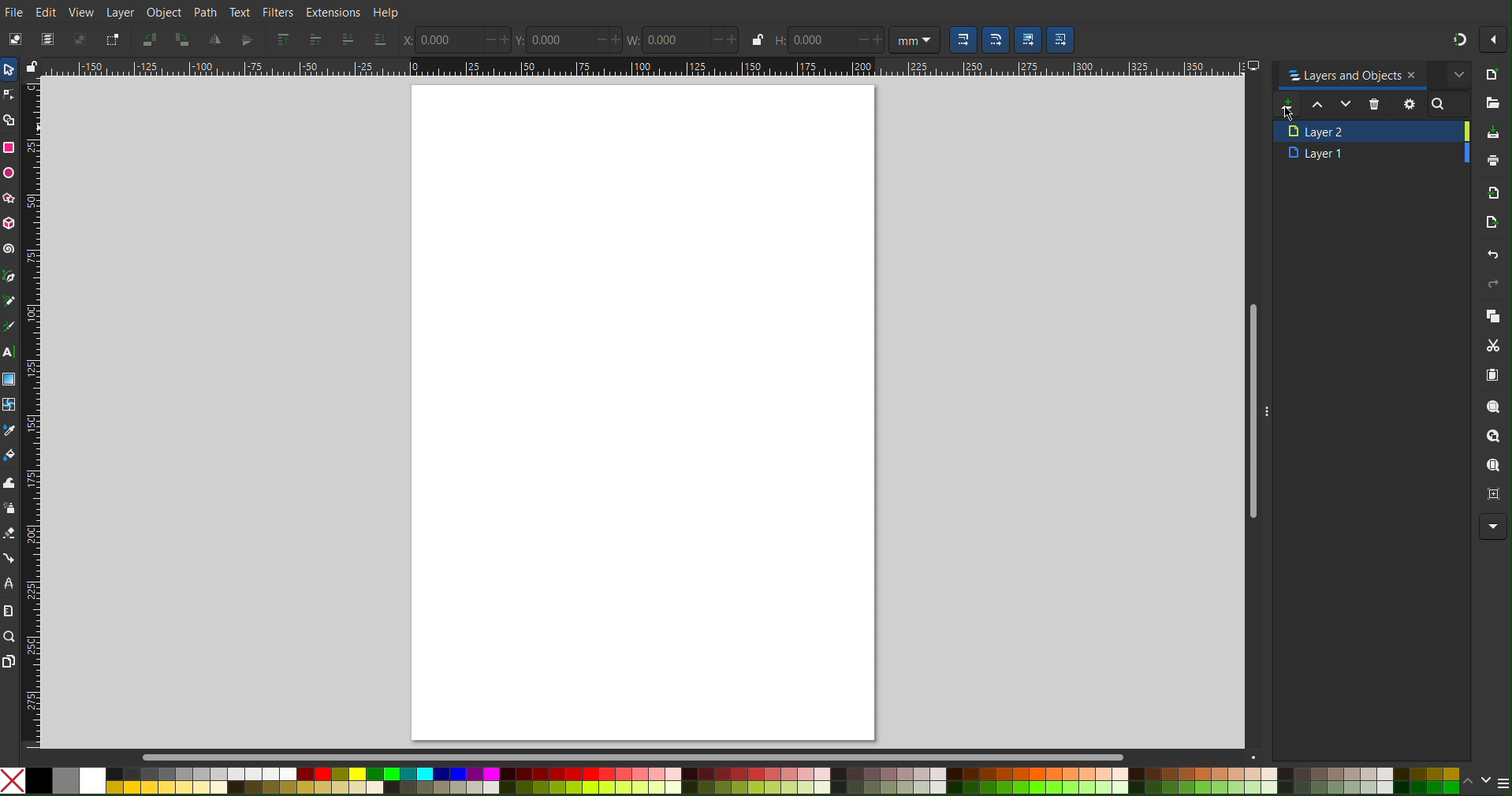 The image size is (1512, 796). I want to click on Connection, so click(13, 560).